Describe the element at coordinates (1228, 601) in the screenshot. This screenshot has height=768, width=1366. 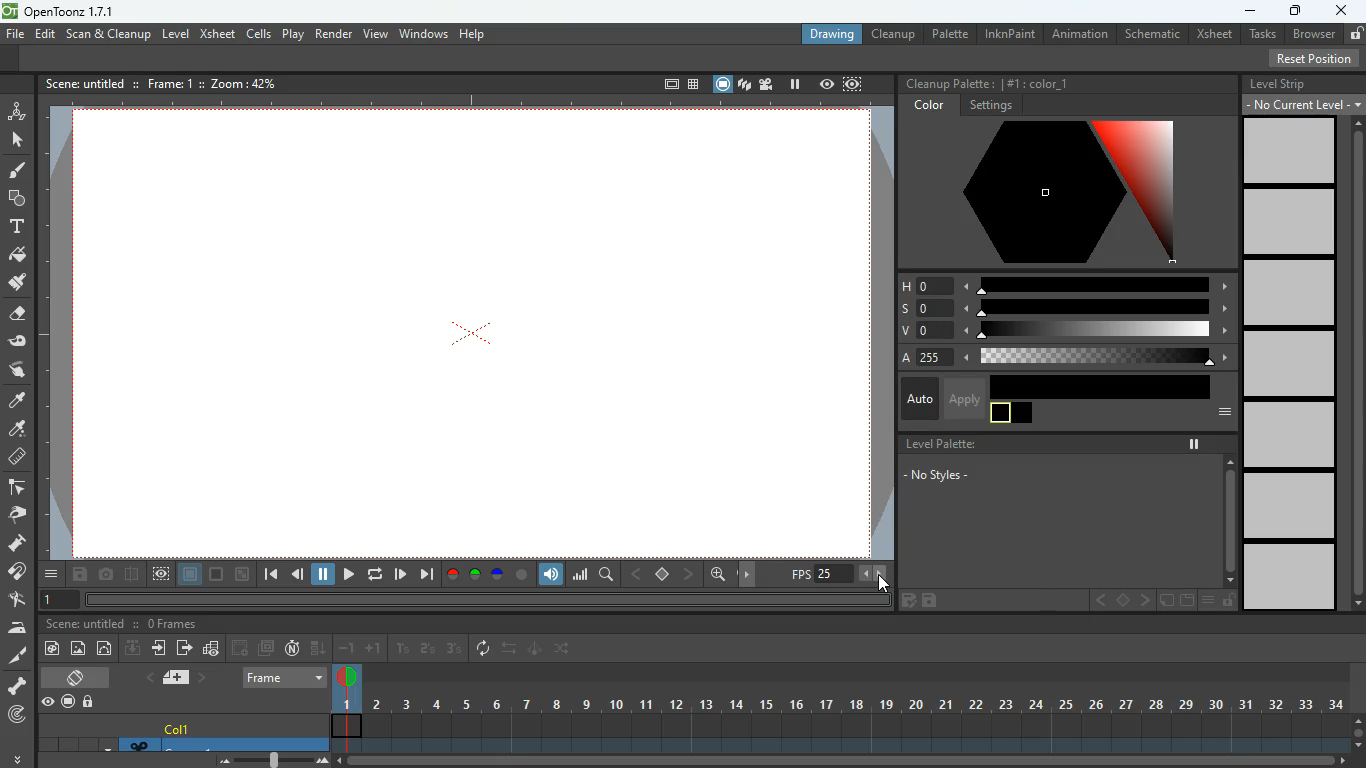
I see `unlock` at that location.